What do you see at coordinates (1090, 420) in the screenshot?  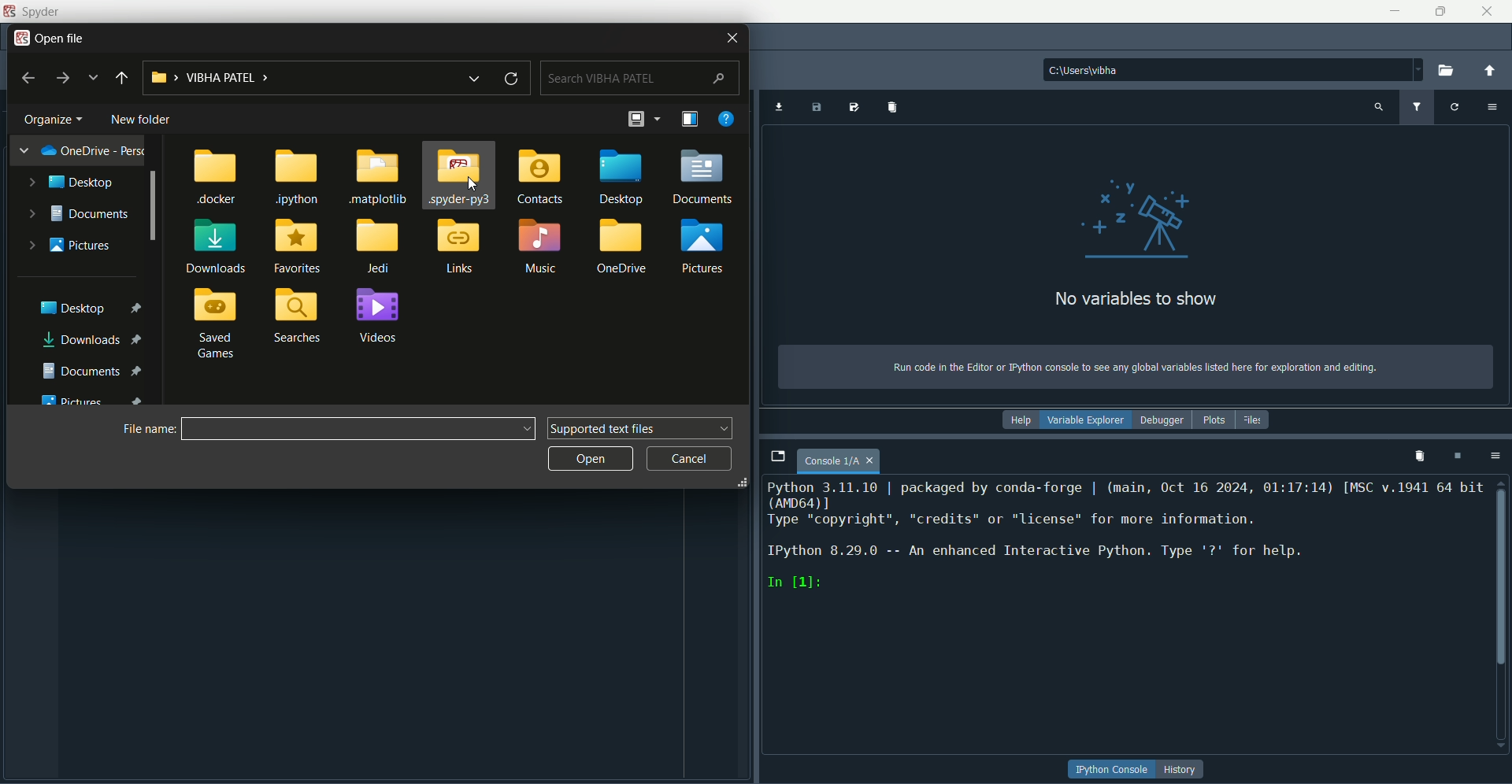 I see `variable explorer` at bounding box center [1090, 420].